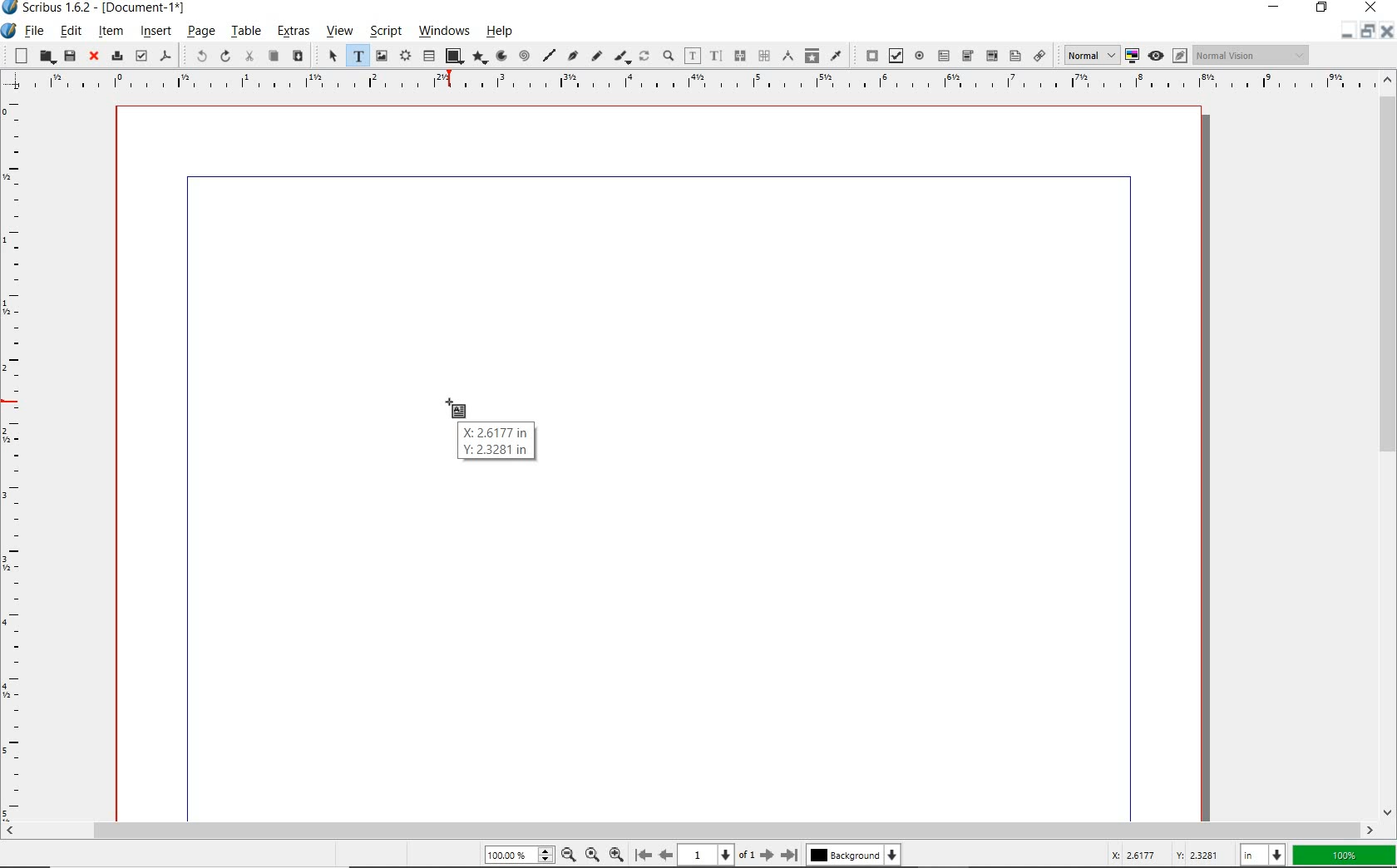  I want to click on pdf combo box, so click(967, 57).